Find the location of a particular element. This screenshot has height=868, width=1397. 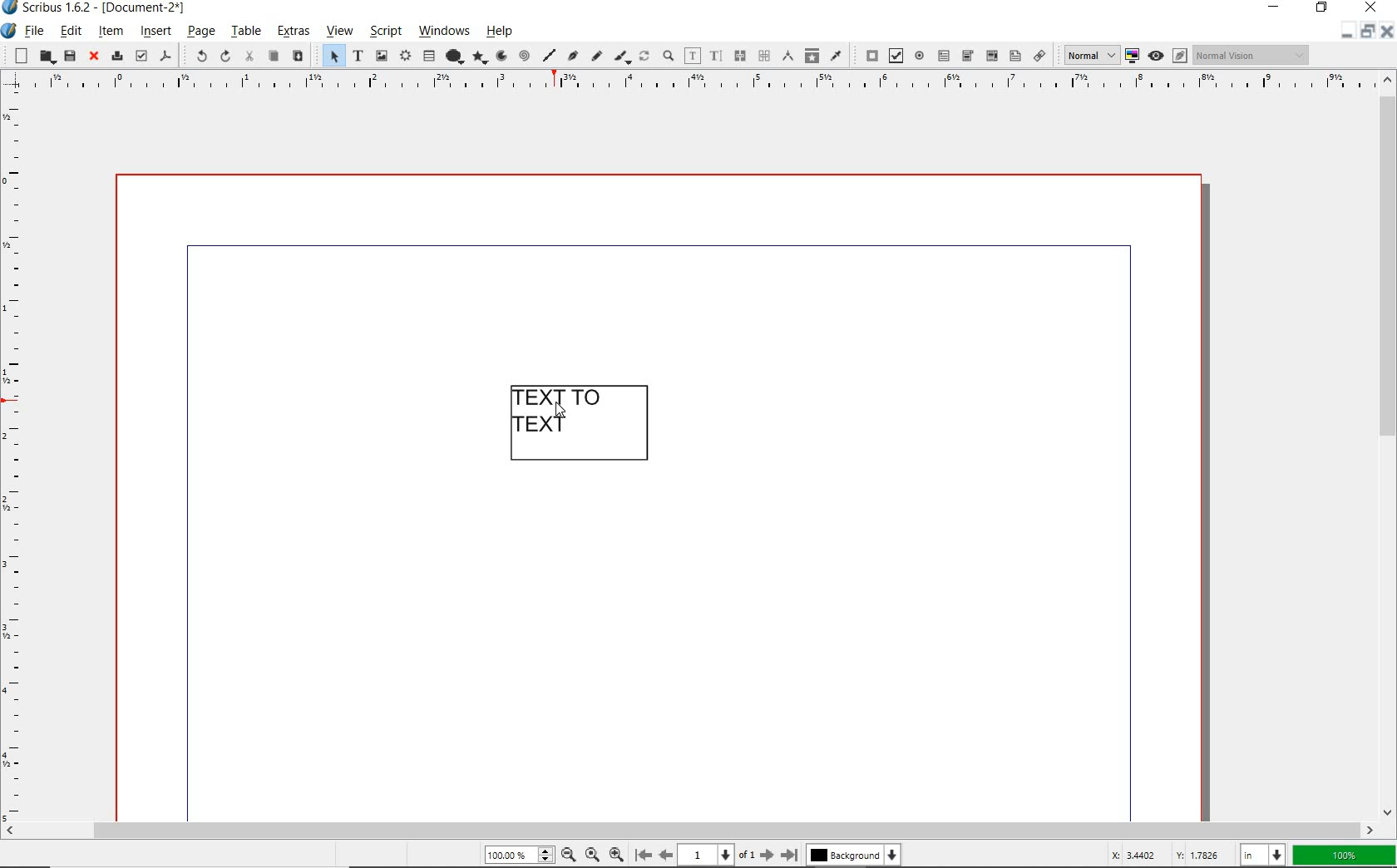

polygon is located at coordinates (480, 58).